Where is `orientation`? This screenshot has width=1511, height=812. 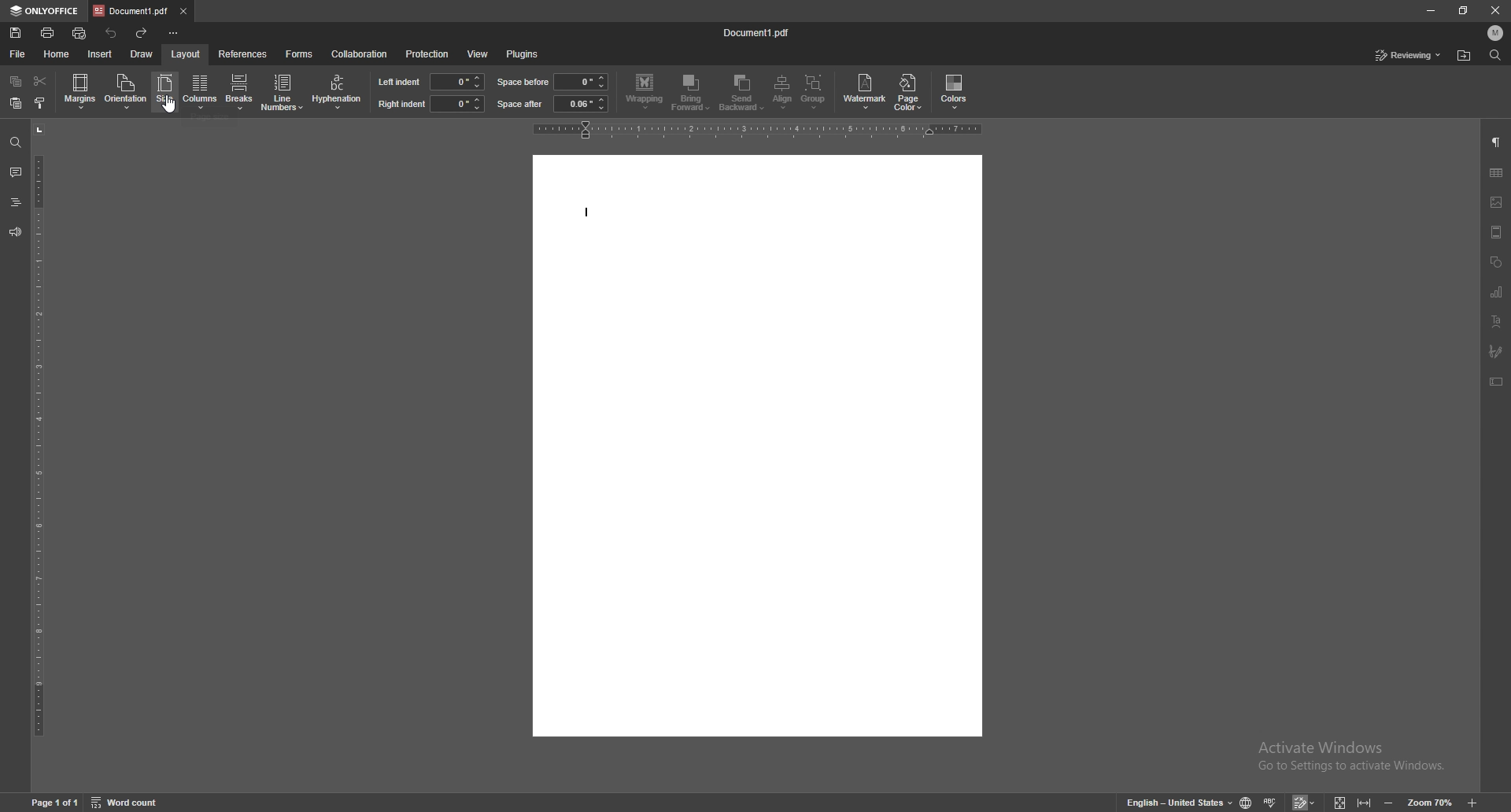 orientation is located at coordinates (126, 90).